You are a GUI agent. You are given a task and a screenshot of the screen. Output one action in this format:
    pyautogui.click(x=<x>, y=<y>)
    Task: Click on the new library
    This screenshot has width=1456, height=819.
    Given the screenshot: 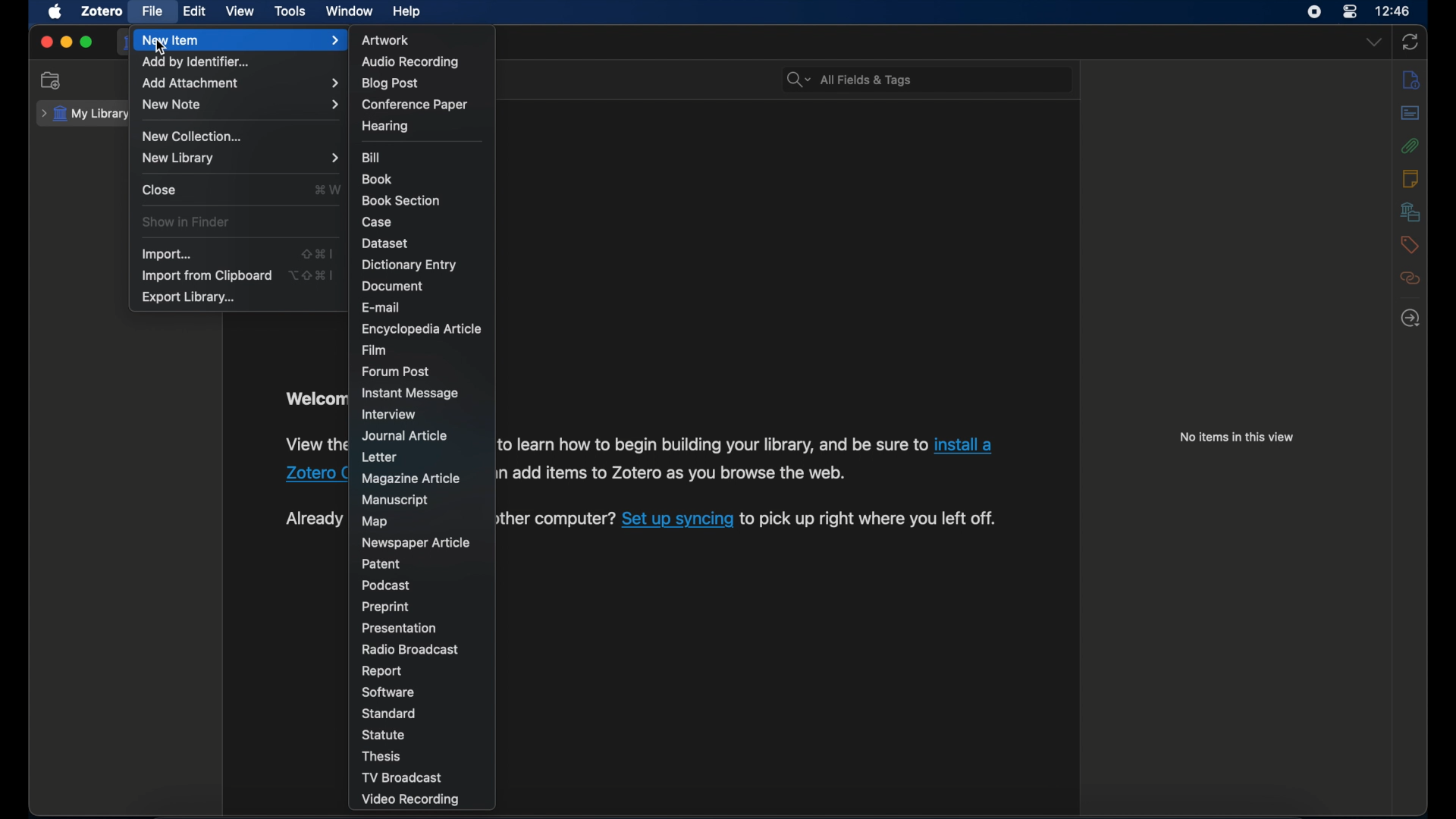 What is the action you would take?
    pyautogui.click(x=240, y=158)
    